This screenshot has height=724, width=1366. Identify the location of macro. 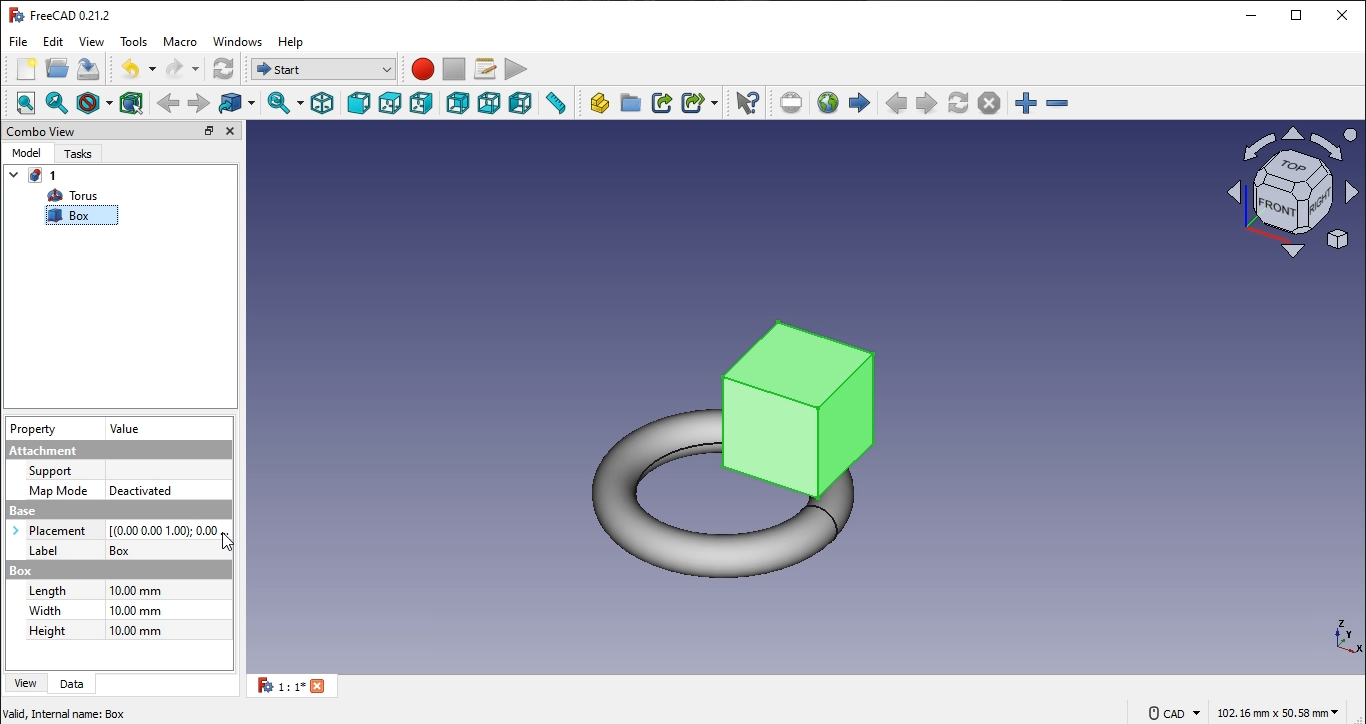
(181, 44).